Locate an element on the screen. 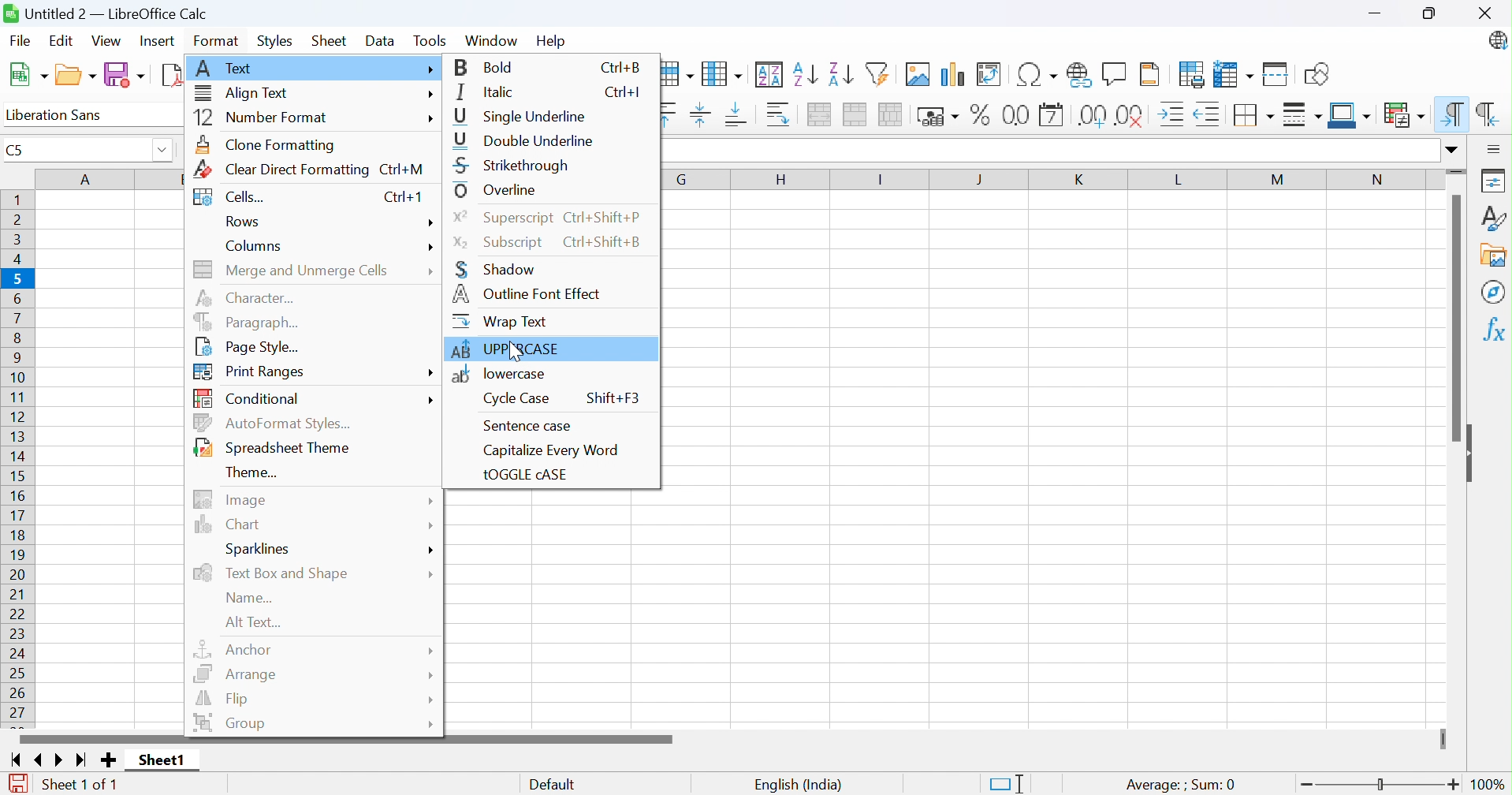 This screenshot has width=1512, height=795. More is located at coordinates (432, 95).